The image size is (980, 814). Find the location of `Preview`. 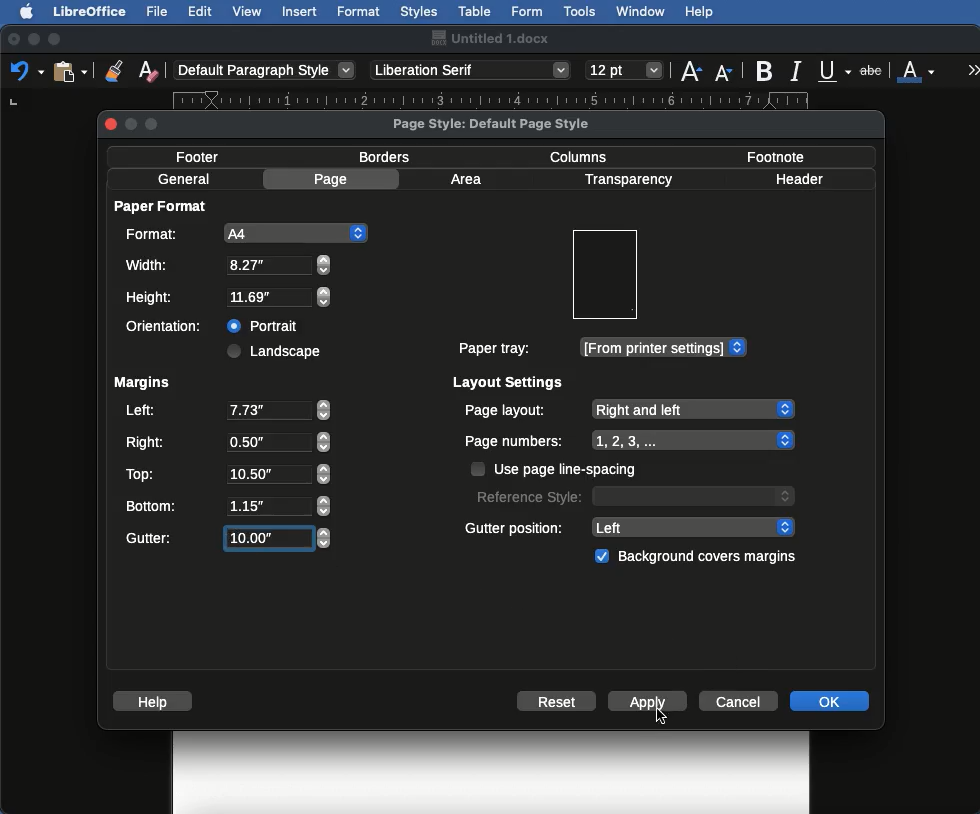

Preview is located at coordinates (604, 275).